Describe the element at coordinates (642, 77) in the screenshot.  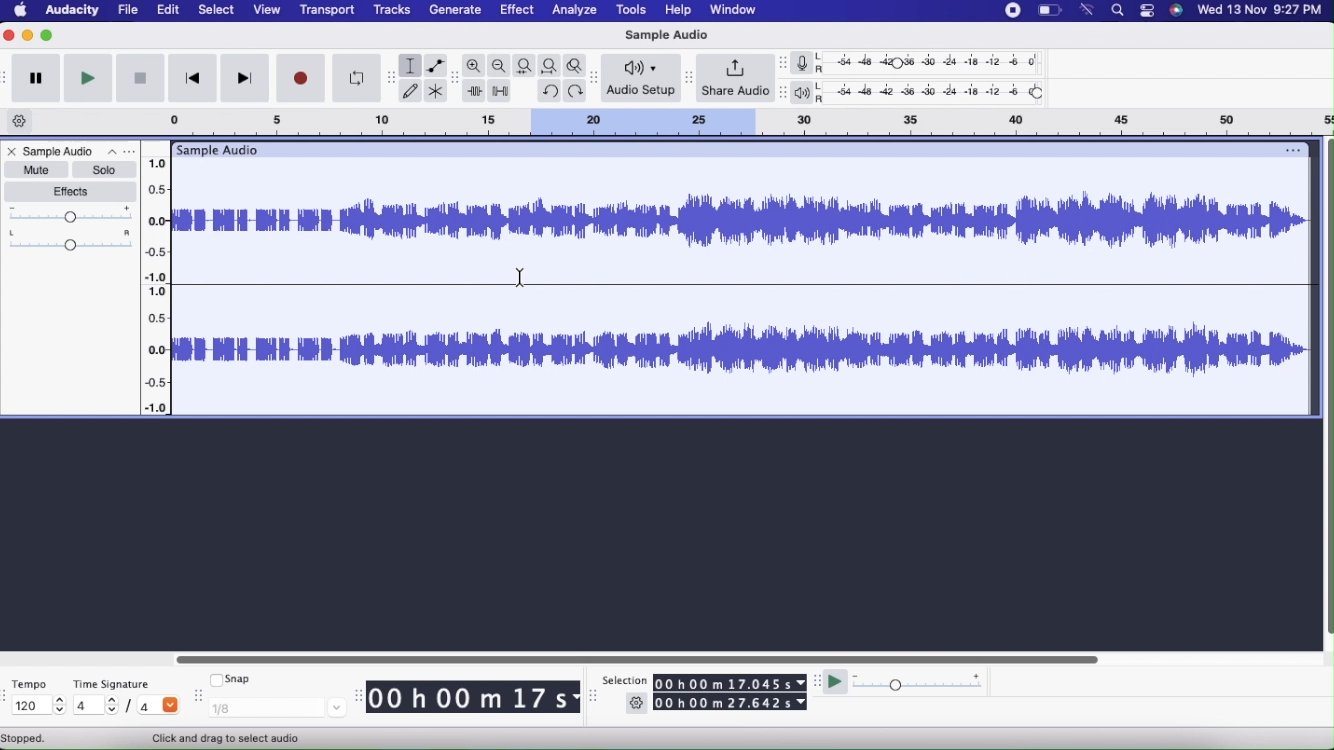
I see `Audio Setup` at that location.